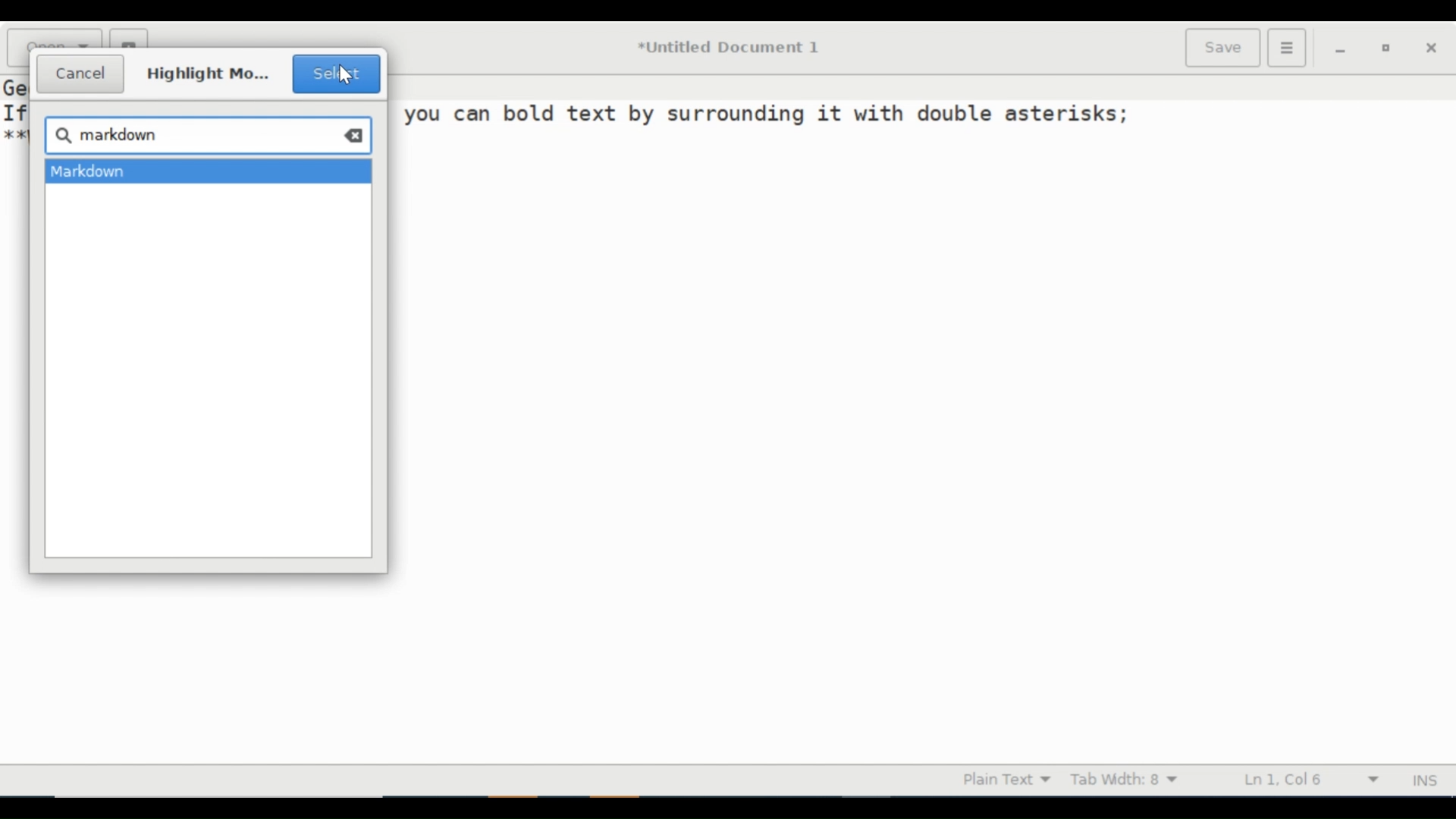 The width and height of the screenshot is (1456, 819). What do you see at coordinates (1428, 780) in the screenshot?
I see `INS` at bounding box center [1428, 780].